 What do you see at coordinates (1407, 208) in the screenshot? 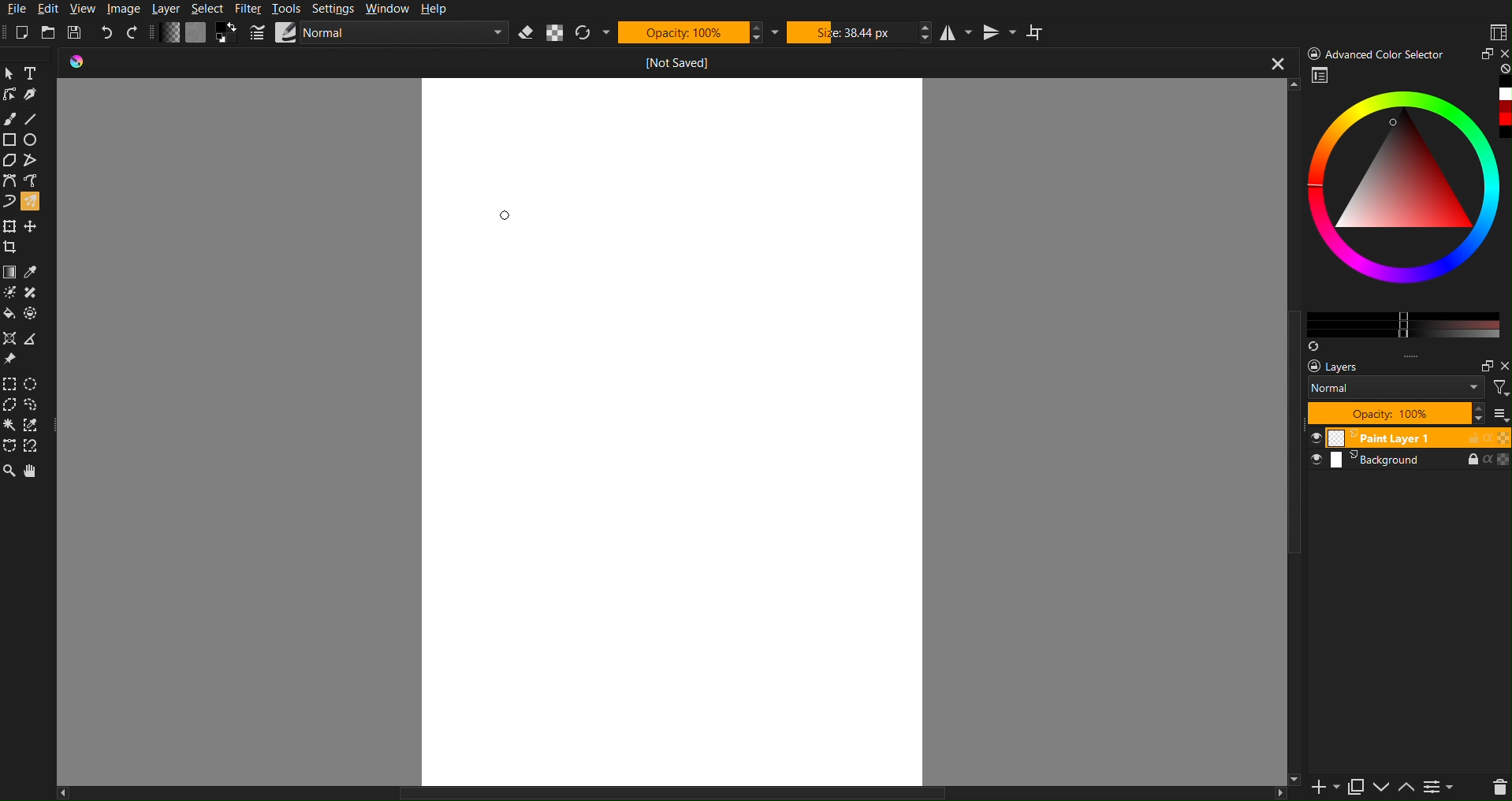
I see `Advanced Color Selector` at bounding box center [1407, 208].